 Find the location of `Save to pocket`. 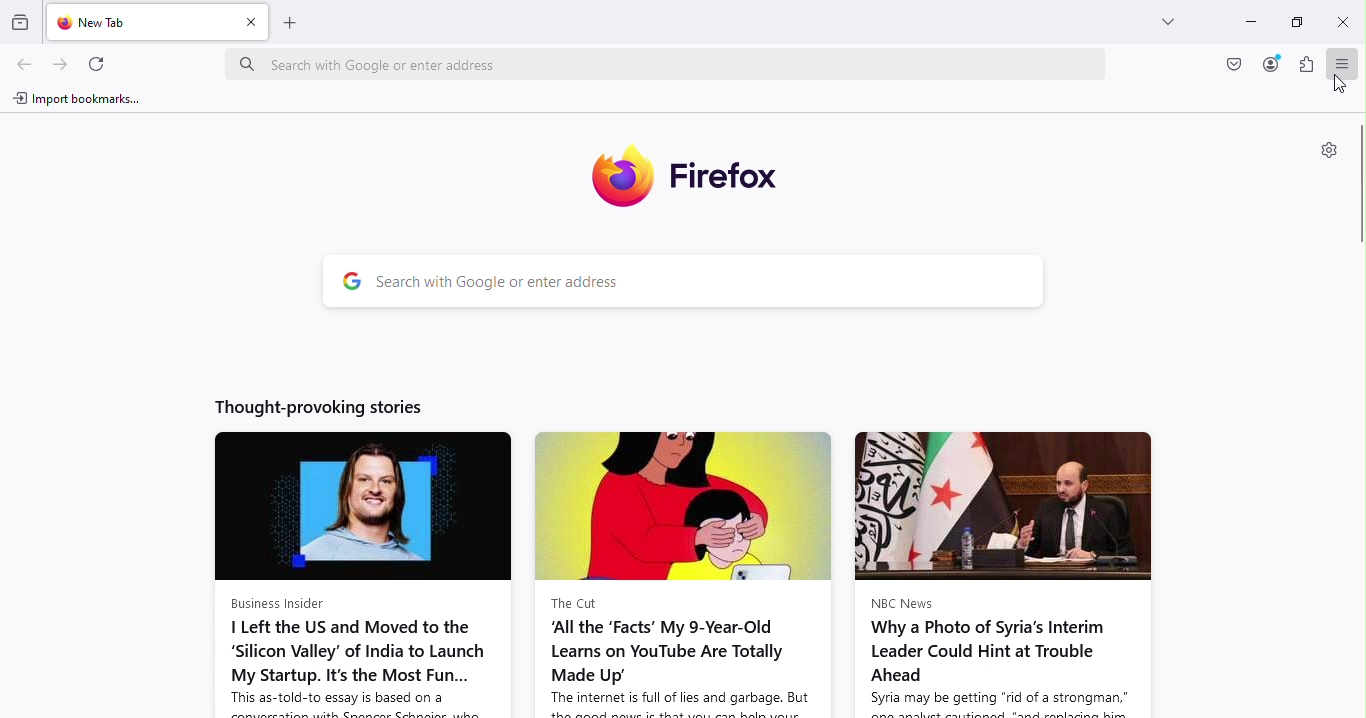

Save to pocket is located at coordinates (1231, 67).